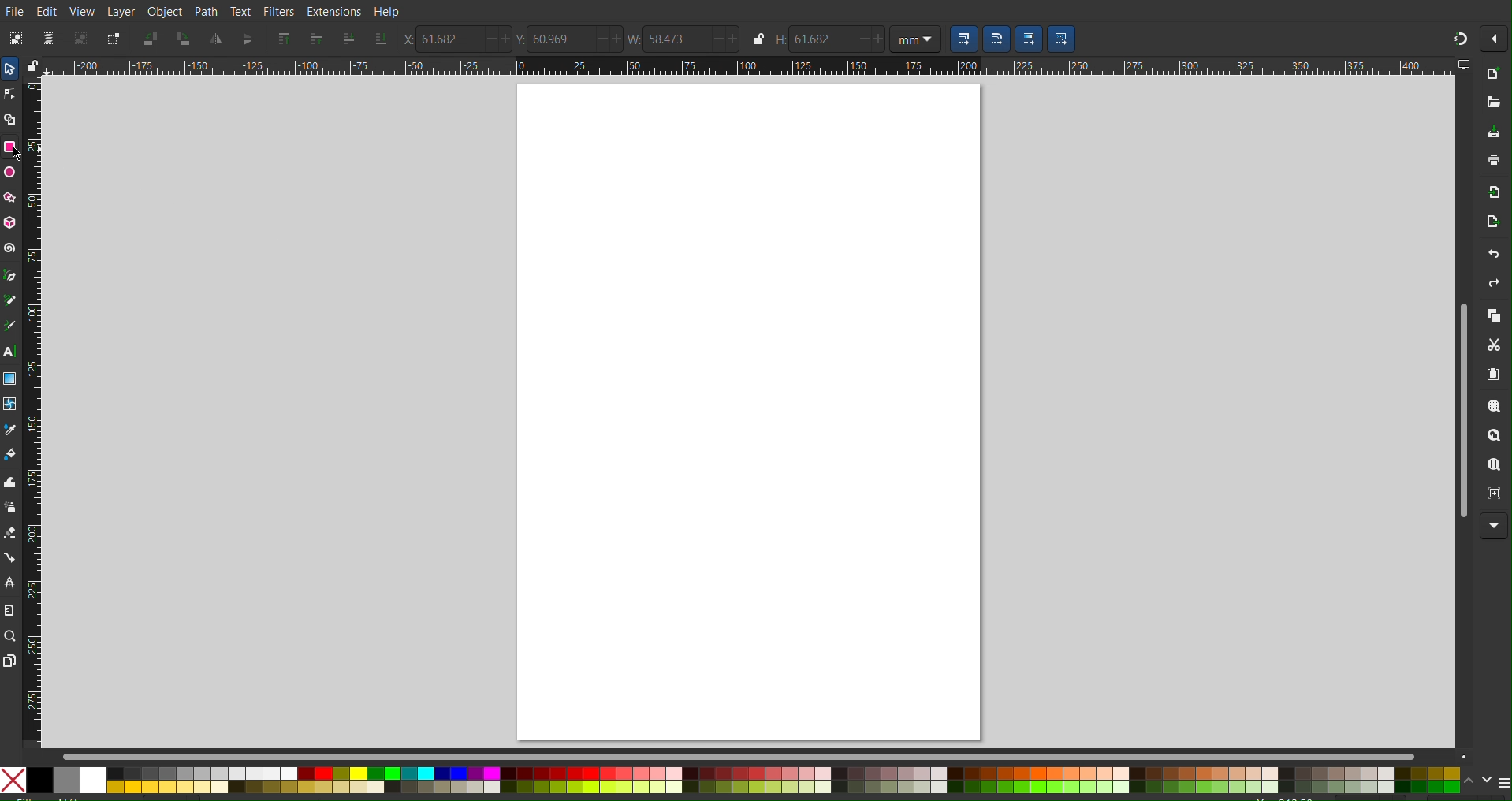 The height and width of the screenshot is (801, 1512). What do you see at coordinates (756, 38) in the screenshot?
I see `lock` at bounding box center [756, 38].